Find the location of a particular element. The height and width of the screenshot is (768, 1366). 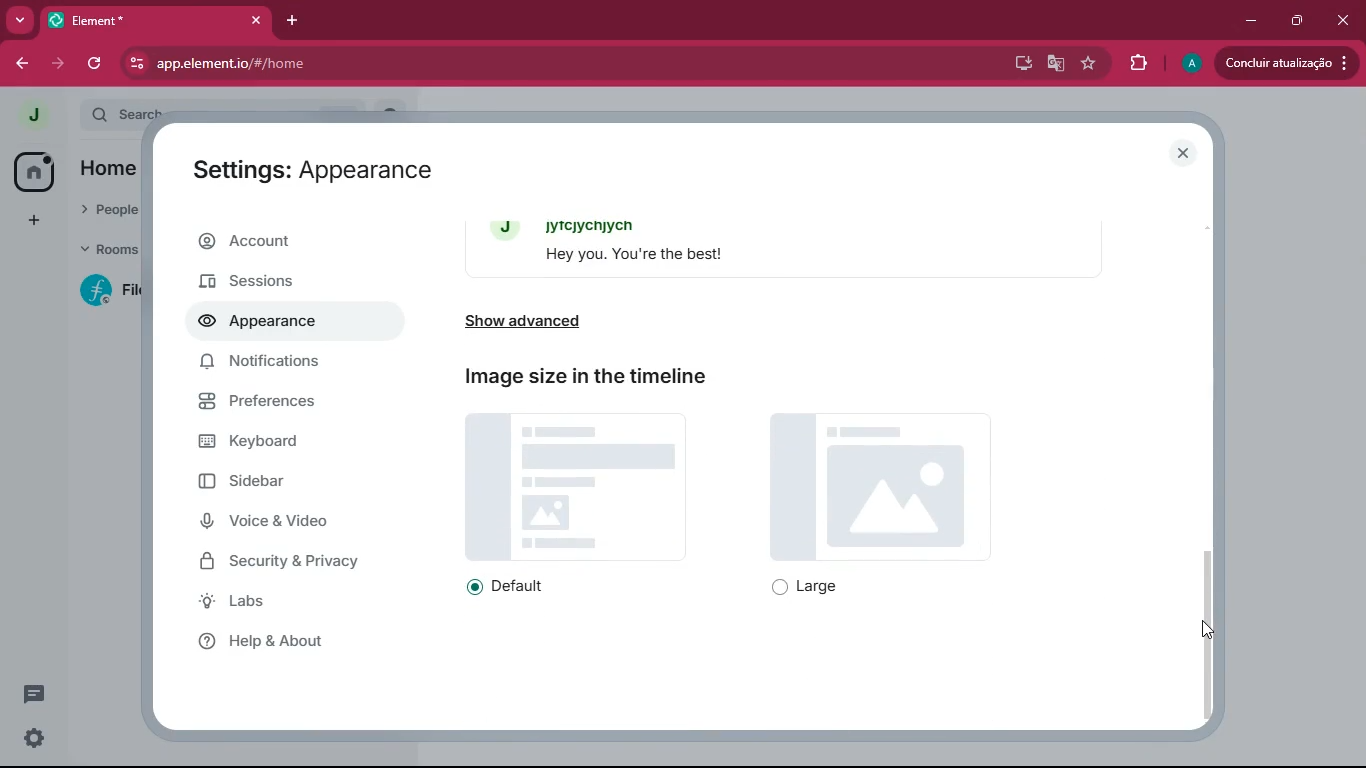

desktop is located at coordinates (1019, 62).